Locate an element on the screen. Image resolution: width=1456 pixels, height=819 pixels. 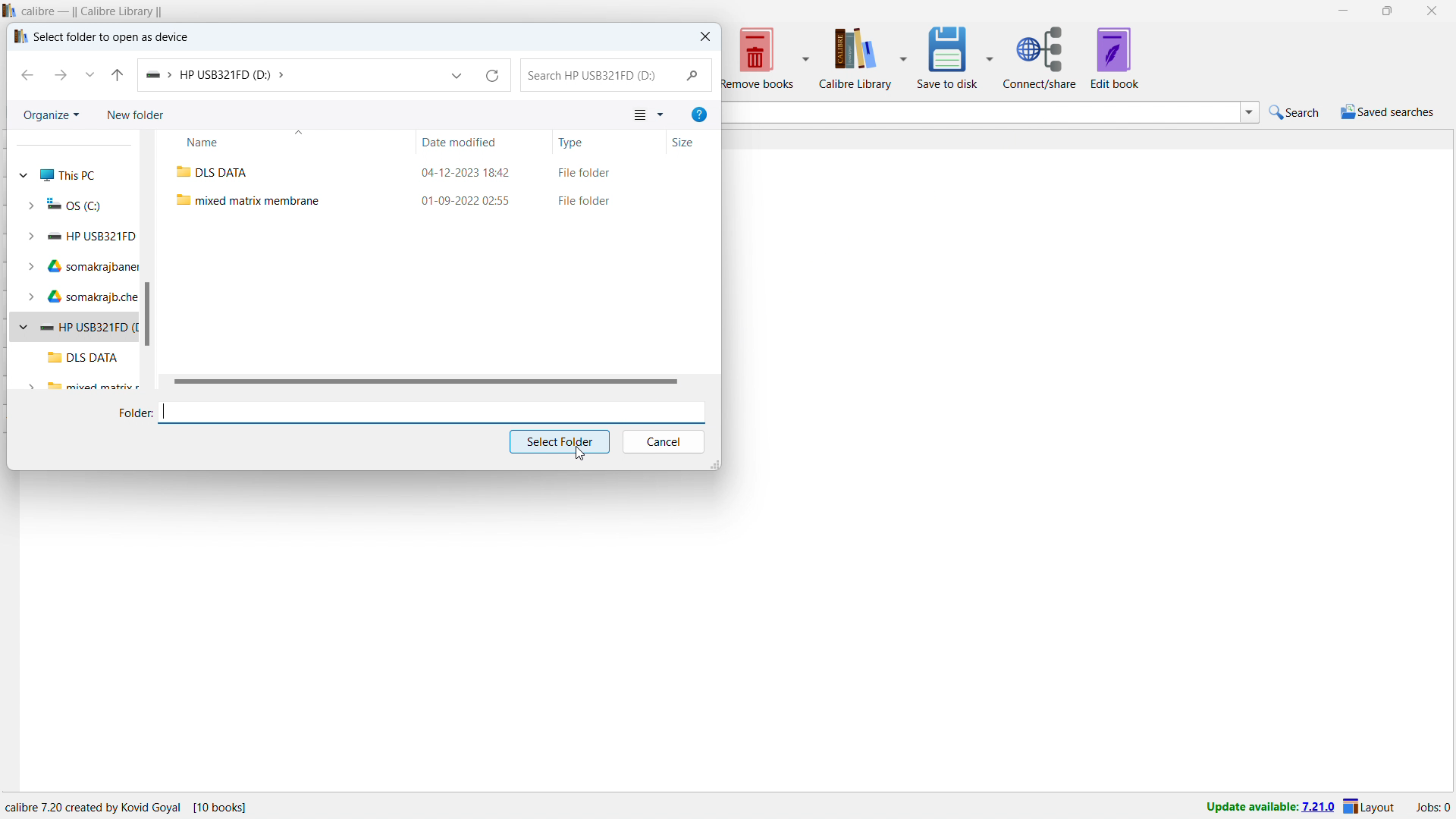
cursor is located at coordinates (576, 455).